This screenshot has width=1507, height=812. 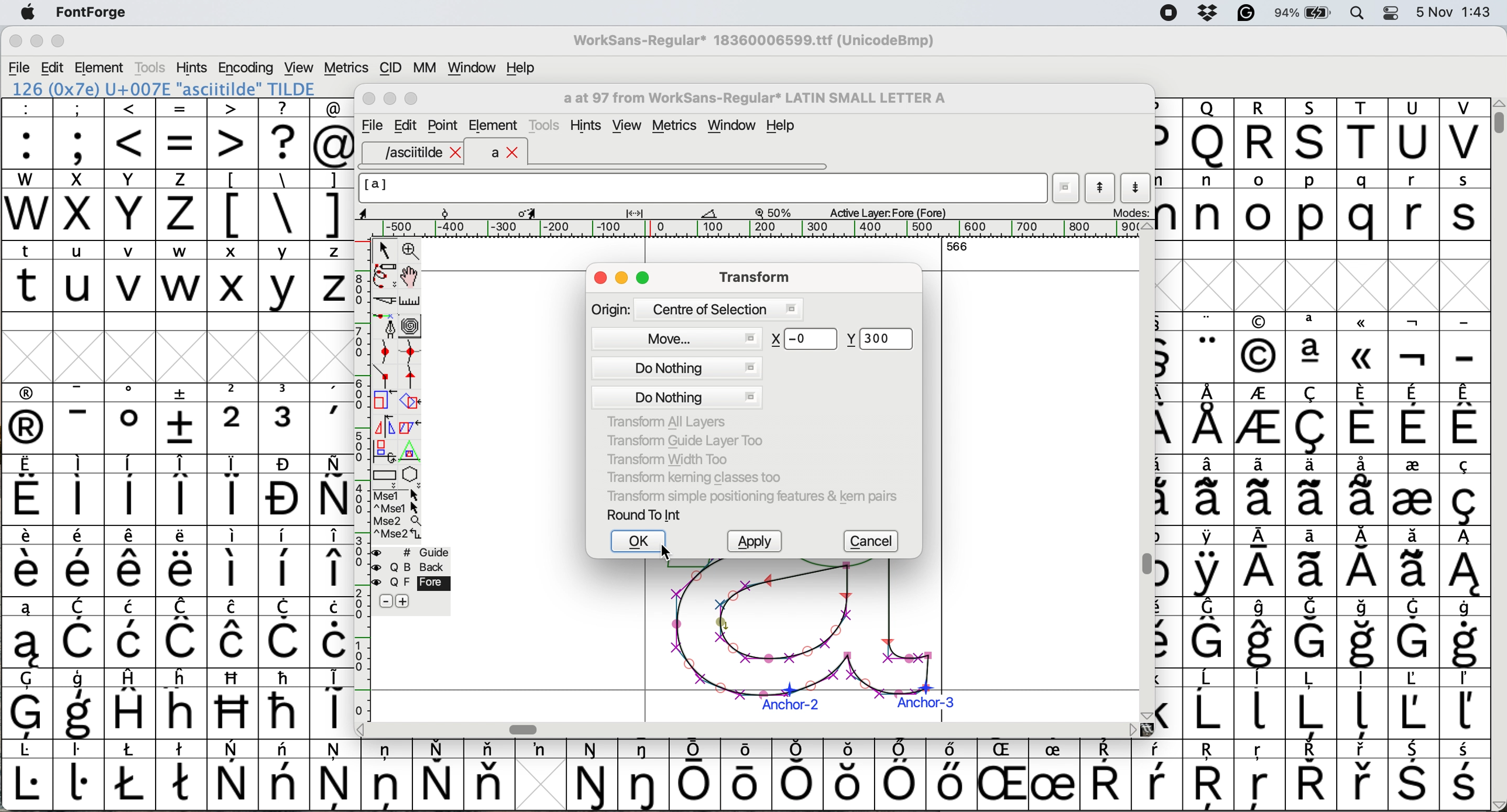 I want to click on symbol, so click(x=646, y=775).